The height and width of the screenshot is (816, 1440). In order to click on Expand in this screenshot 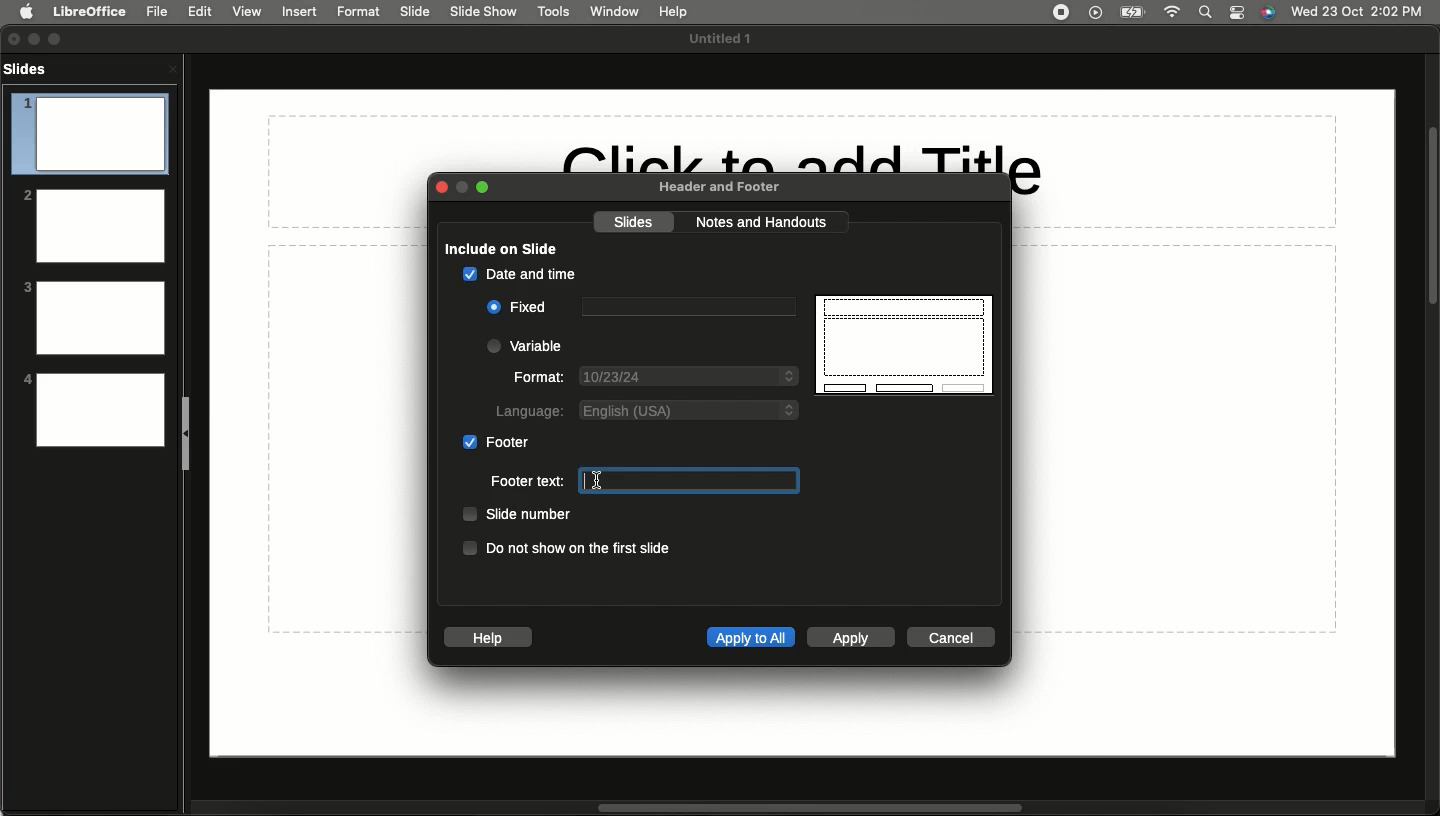, I will do `click(59, 37)`.